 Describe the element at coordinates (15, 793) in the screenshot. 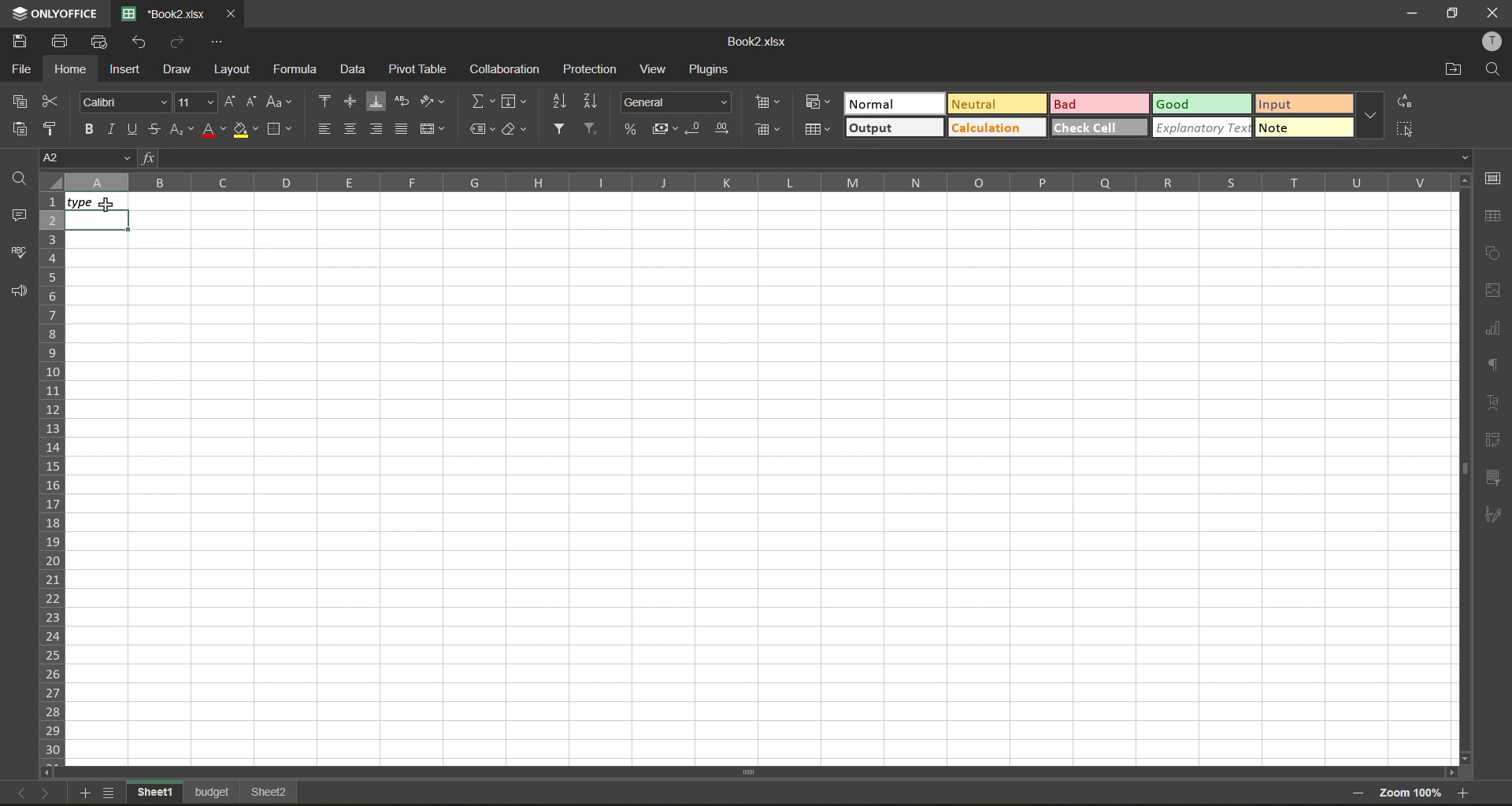

I see `previous` at that location.